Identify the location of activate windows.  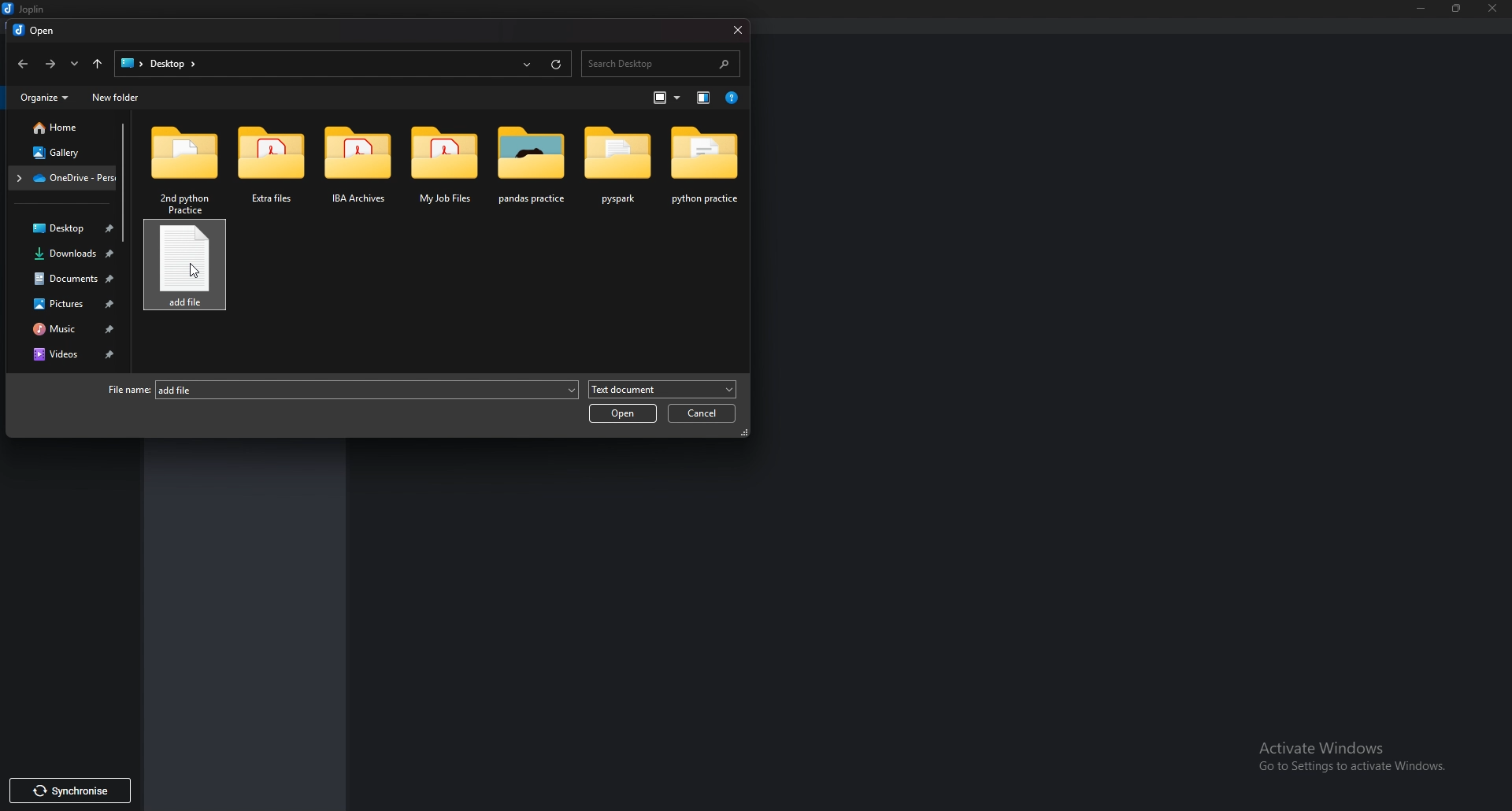
(1354, 754).